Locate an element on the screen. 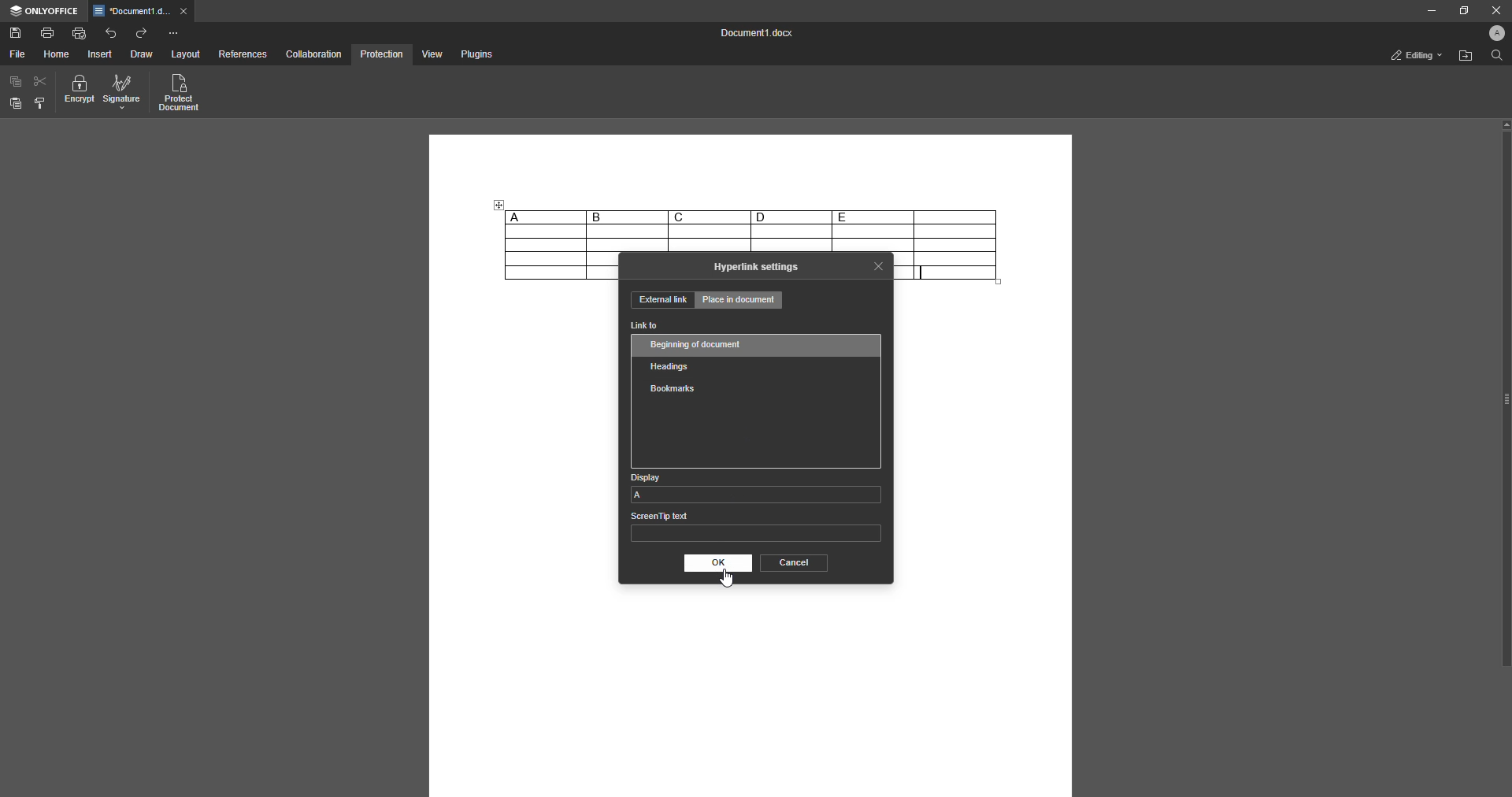 Image resolution: width=1512 pixels, height=797 pixels. Protected Document is located at coordinates (180, 94).